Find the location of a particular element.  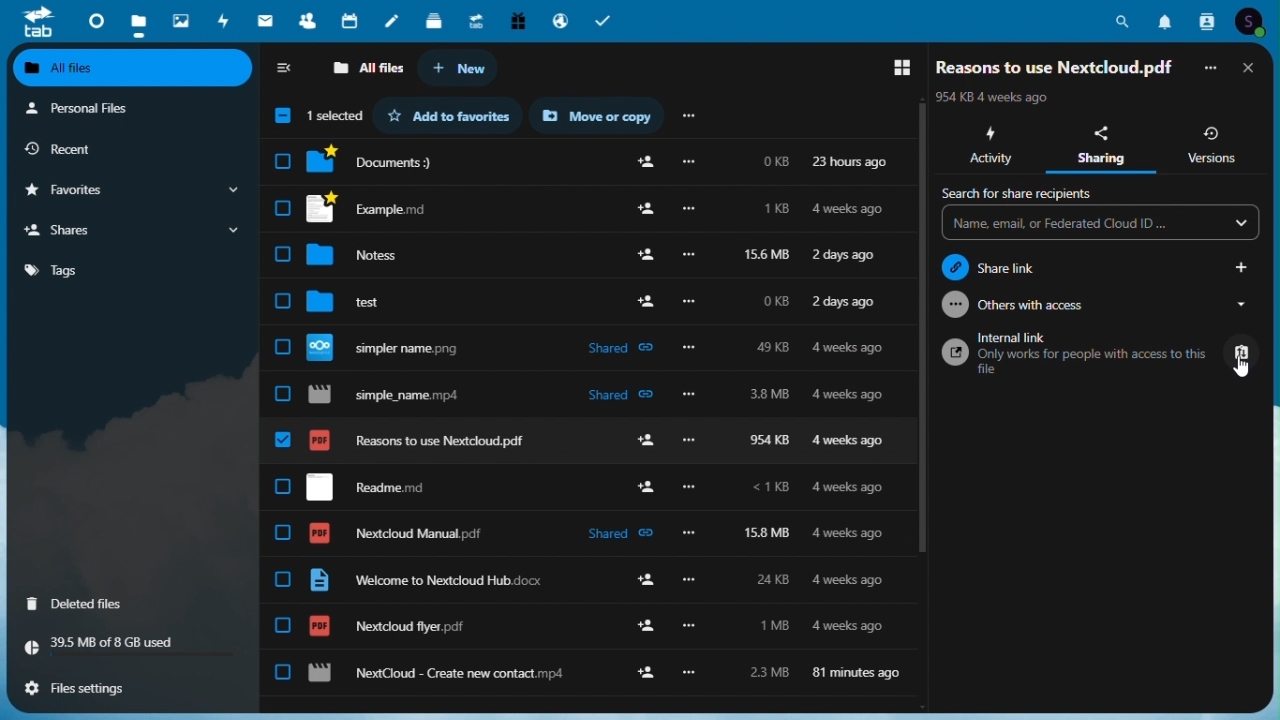

0kb is located at coordinates (776, 300).